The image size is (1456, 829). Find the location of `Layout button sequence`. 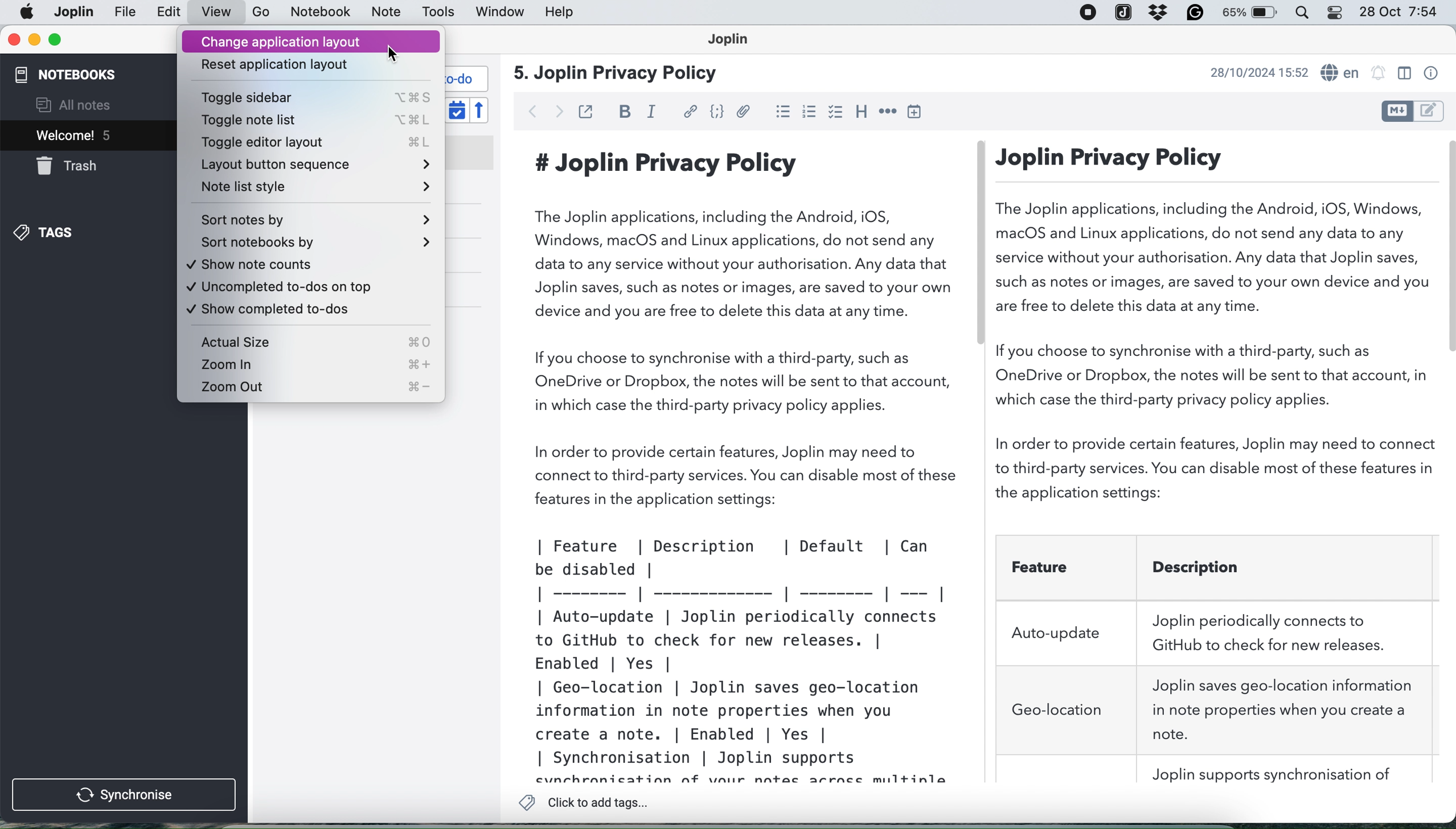

Layout button sequence is located at coordinates (312, 166).